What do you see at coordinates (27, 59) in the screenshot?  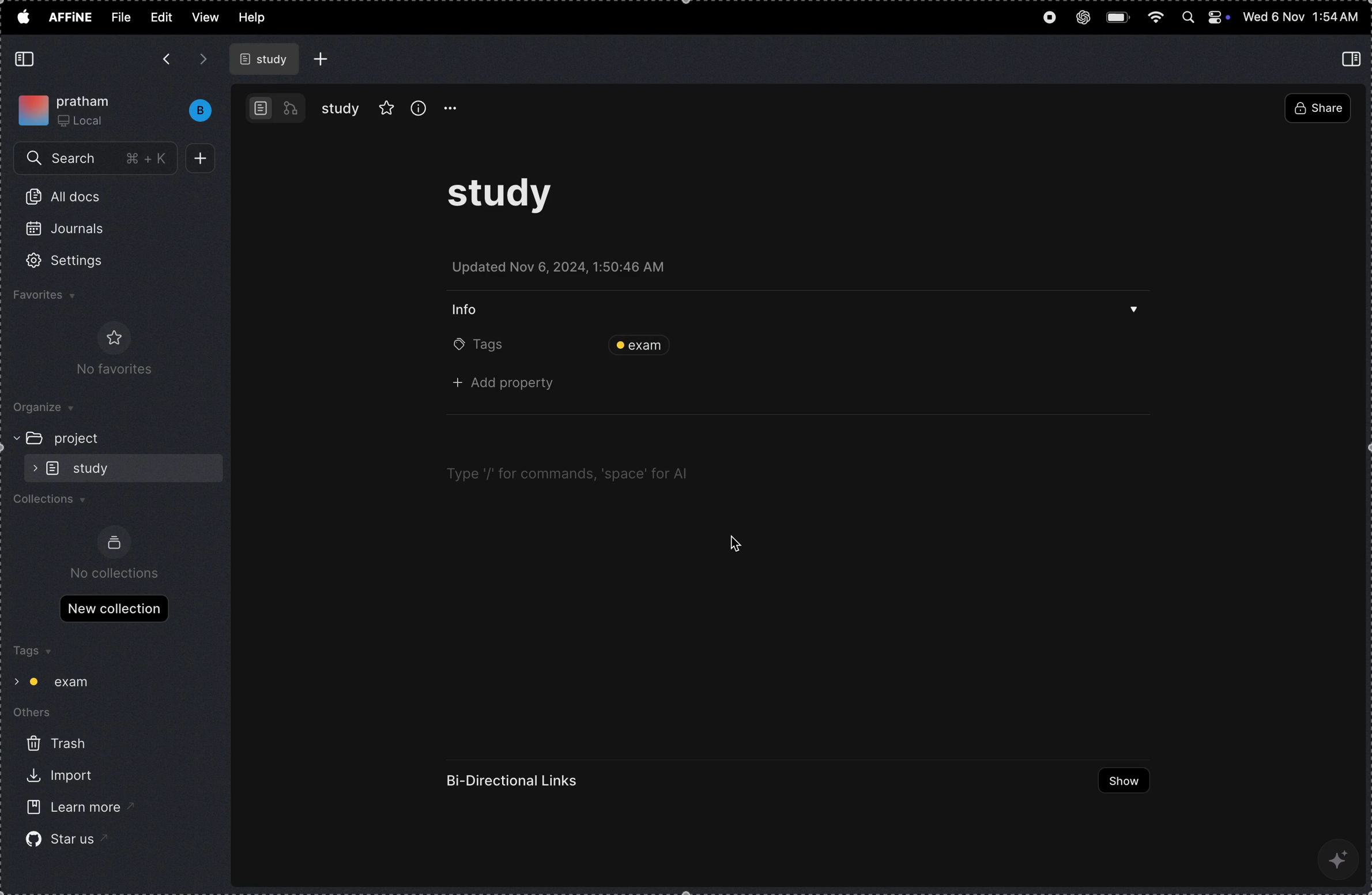 I see `collapse side bar` at bounding box center [27, 59].